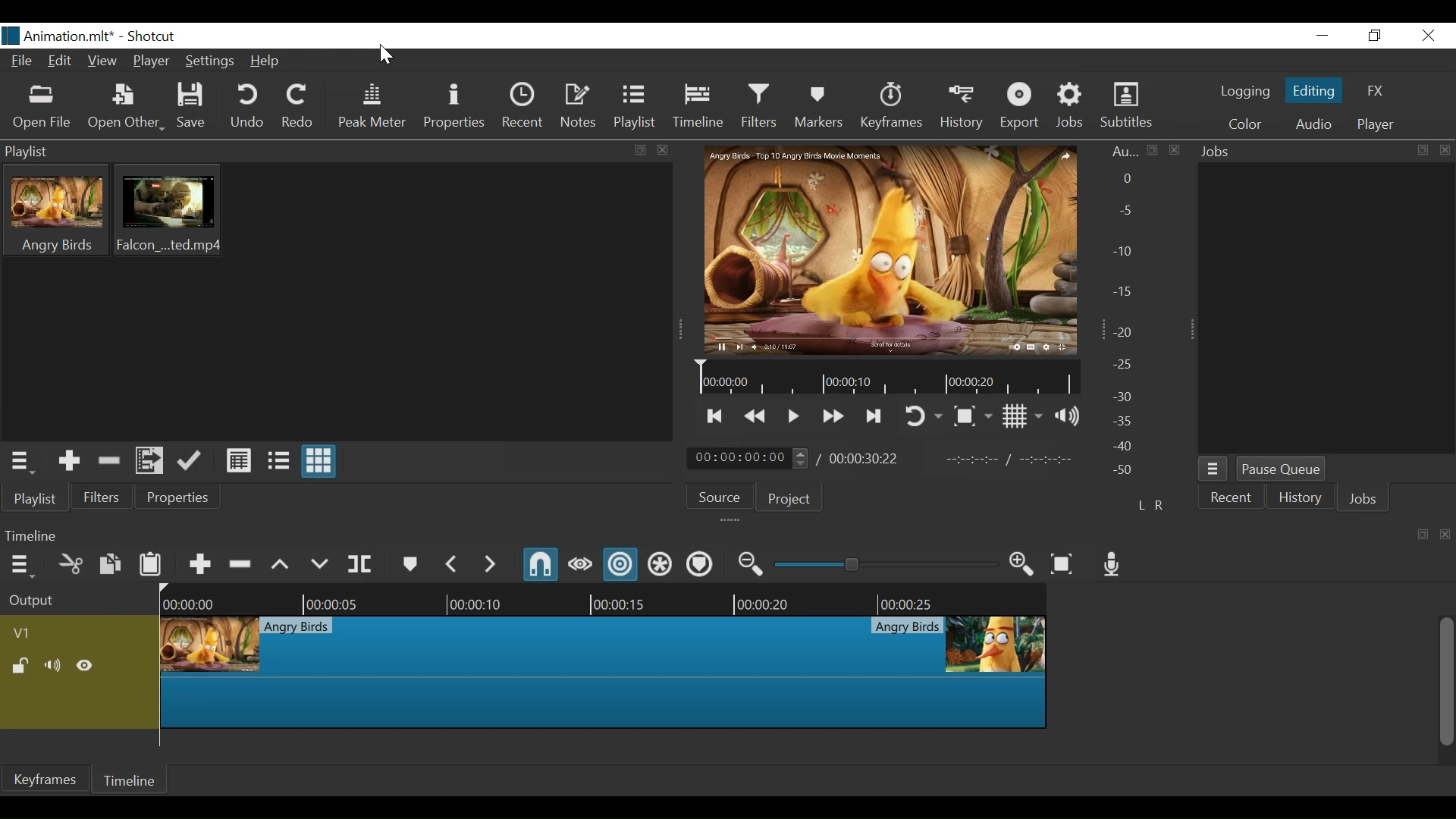 This screenshot has width=1456, height=819. Describe the element at coordinates (720, 497) in the screenshot. I see `Source` at that location.